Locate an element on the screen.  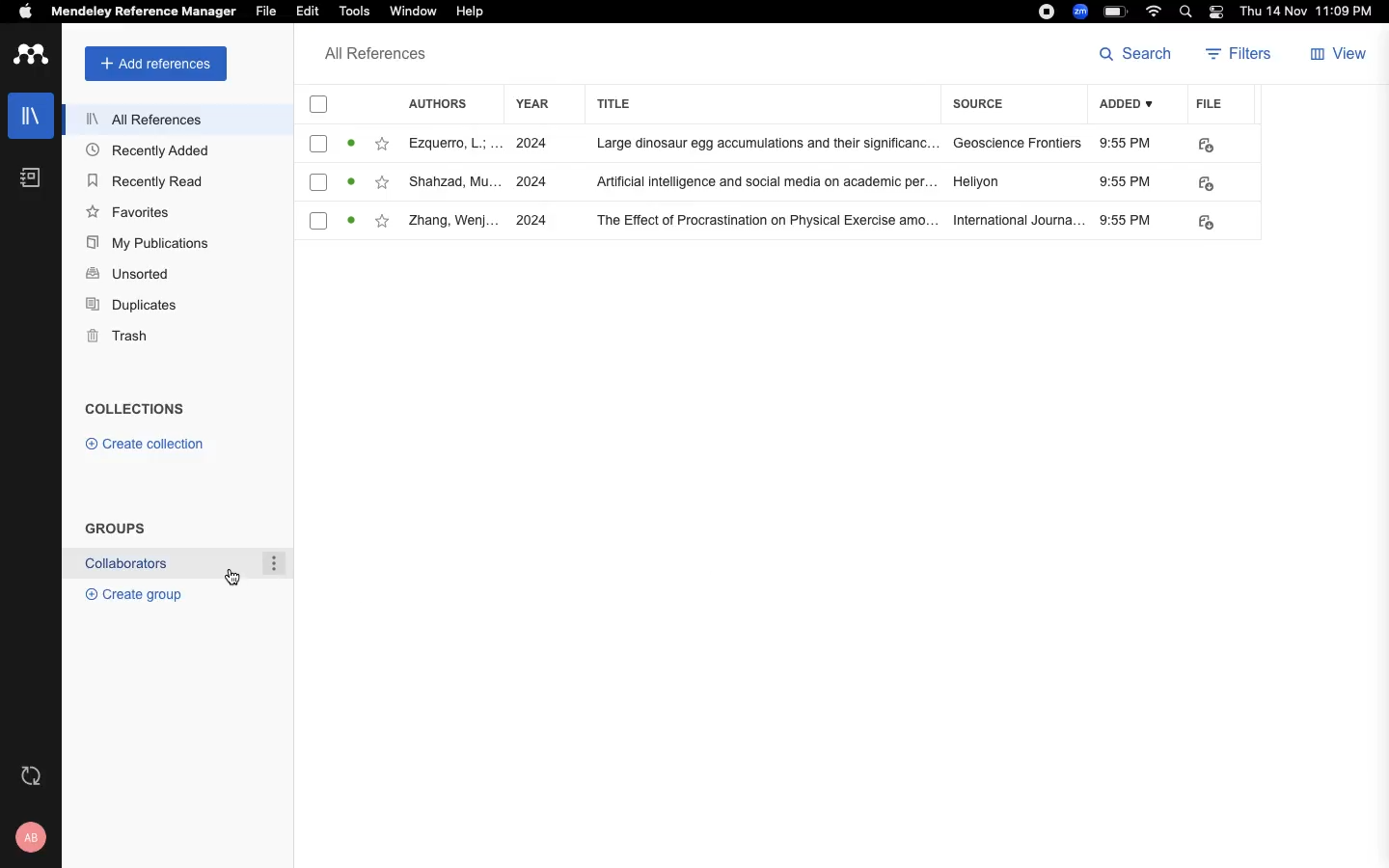
search is located at coordinates (1135, 55).